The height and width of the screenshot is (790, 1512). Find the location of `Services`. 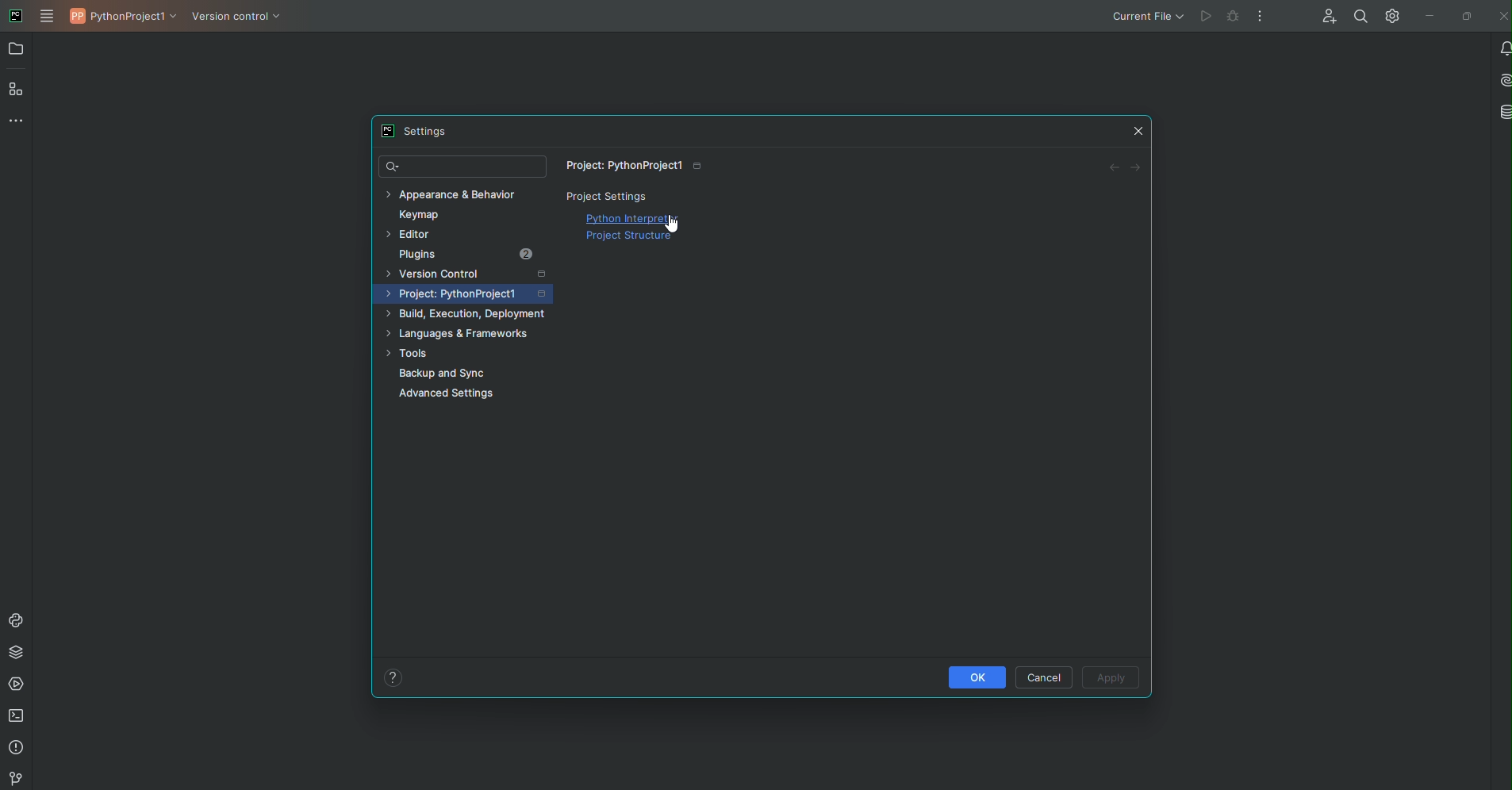

Services is located at coordinates (17, 686).